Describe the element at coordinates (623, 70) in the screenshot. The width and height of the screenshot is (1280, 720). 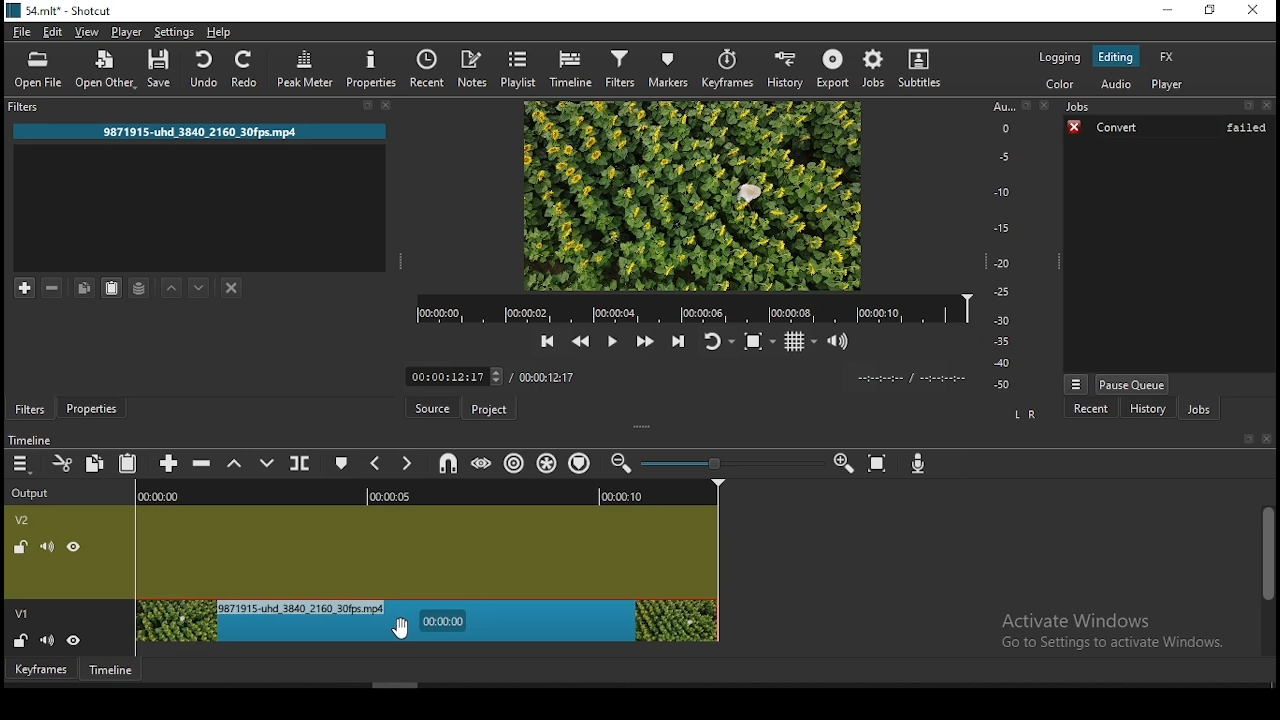
I see `filters` at that location.